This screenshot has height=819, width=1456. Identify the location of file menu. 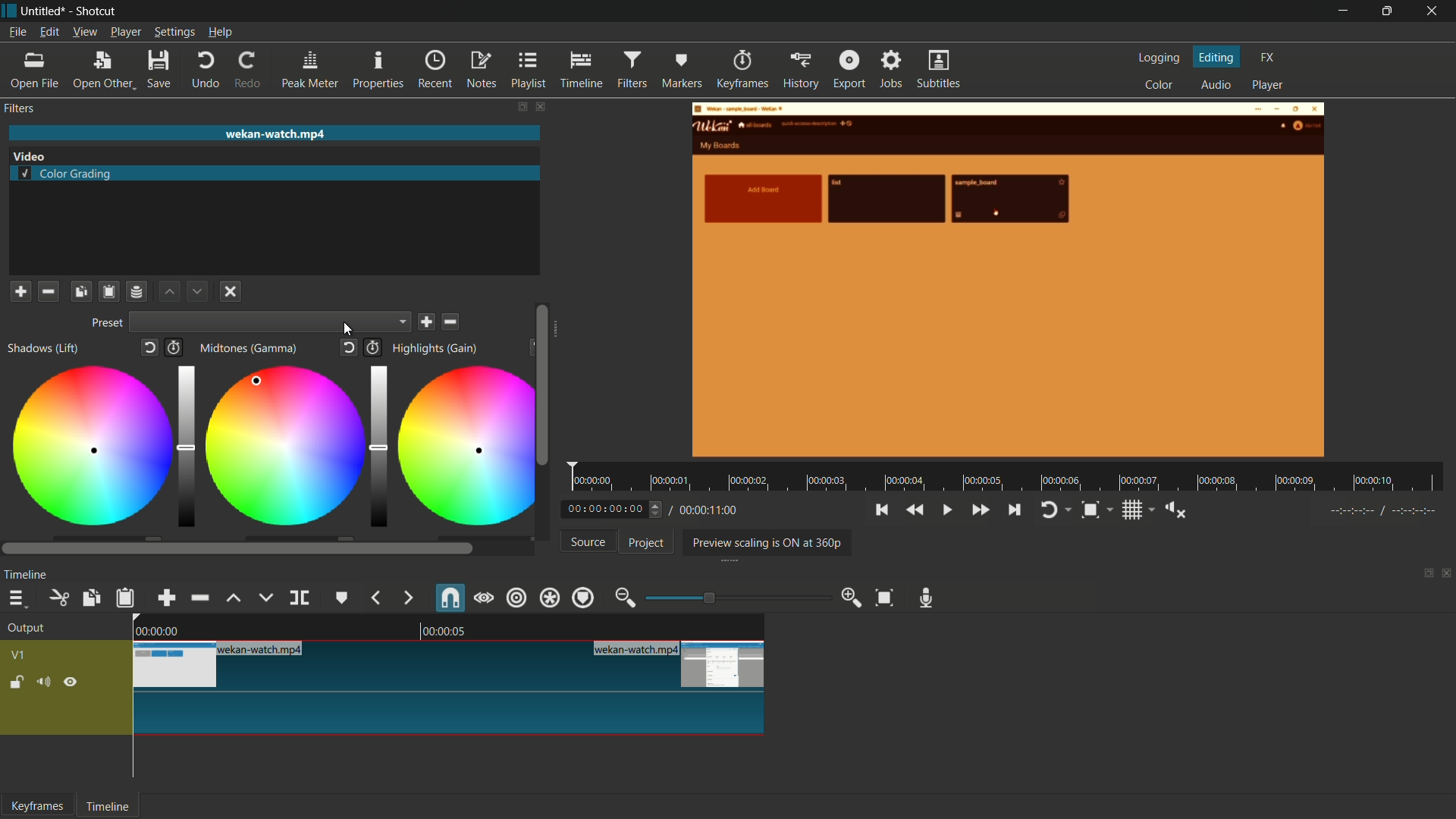
(17, 32).